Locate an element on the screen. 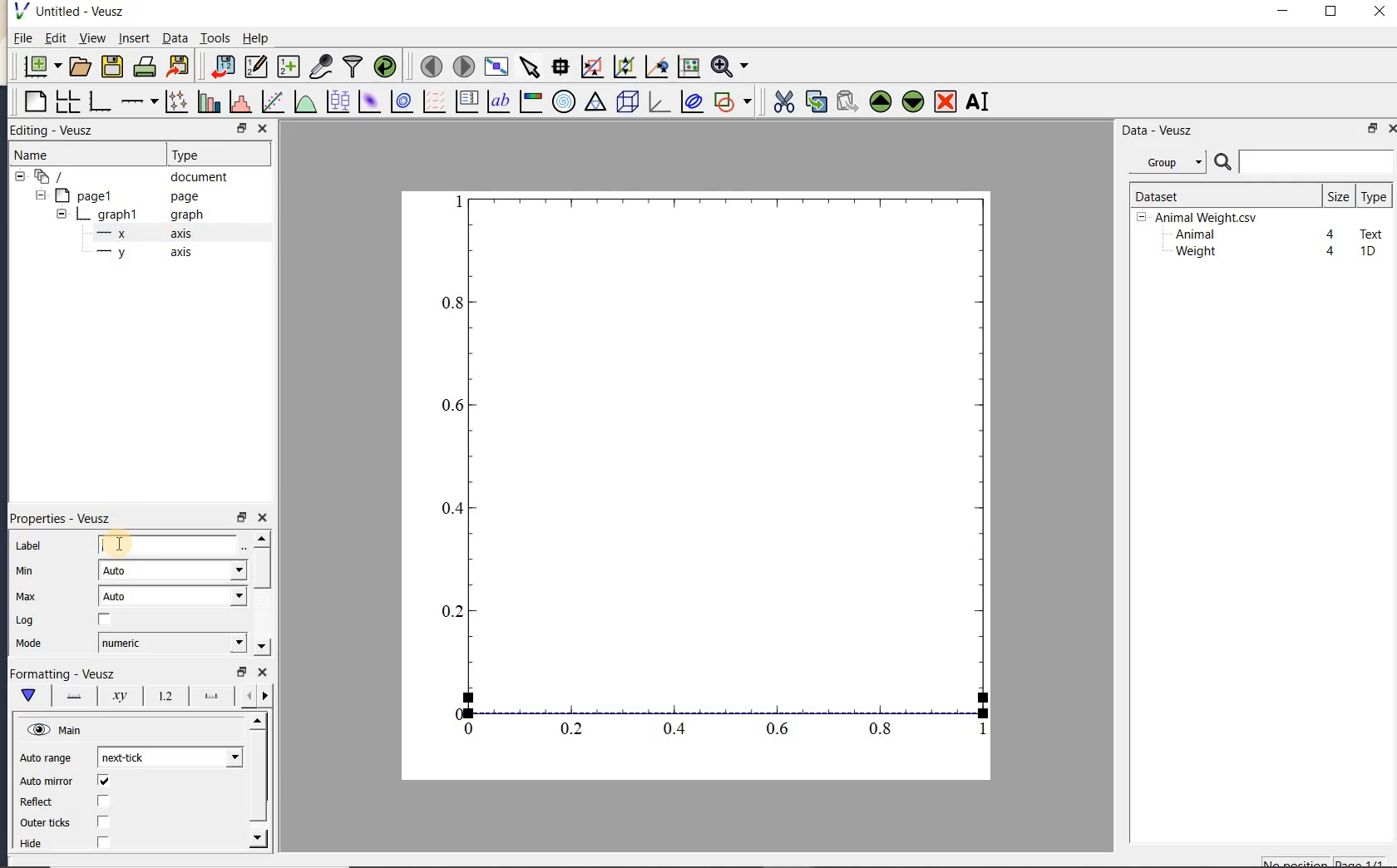  Untitled-Veusz is located at coordinates (74, 12).